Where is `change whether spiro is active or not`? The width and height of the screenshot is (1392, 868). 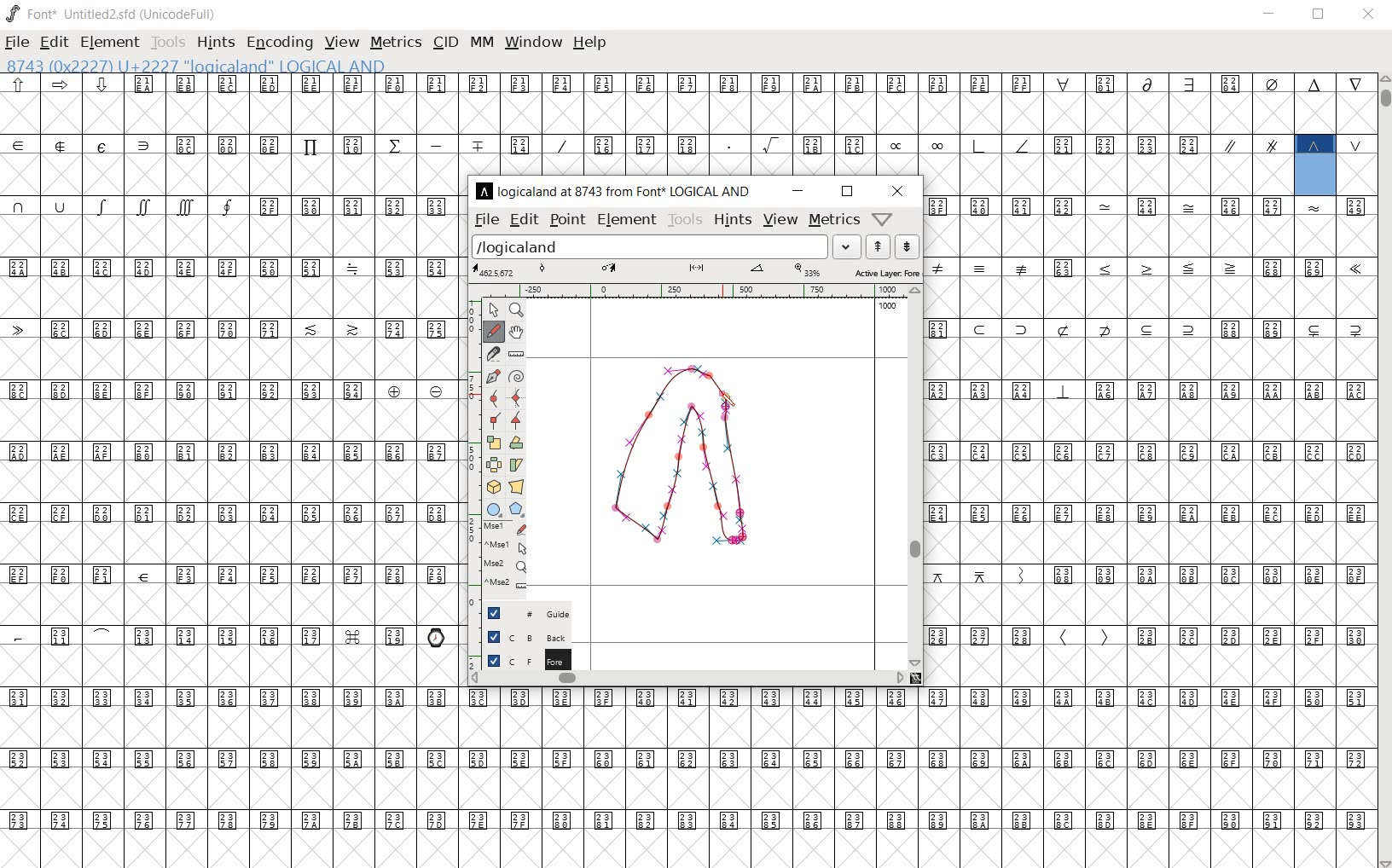
change whether spiro is active or not is located at coordinates (518, 377).